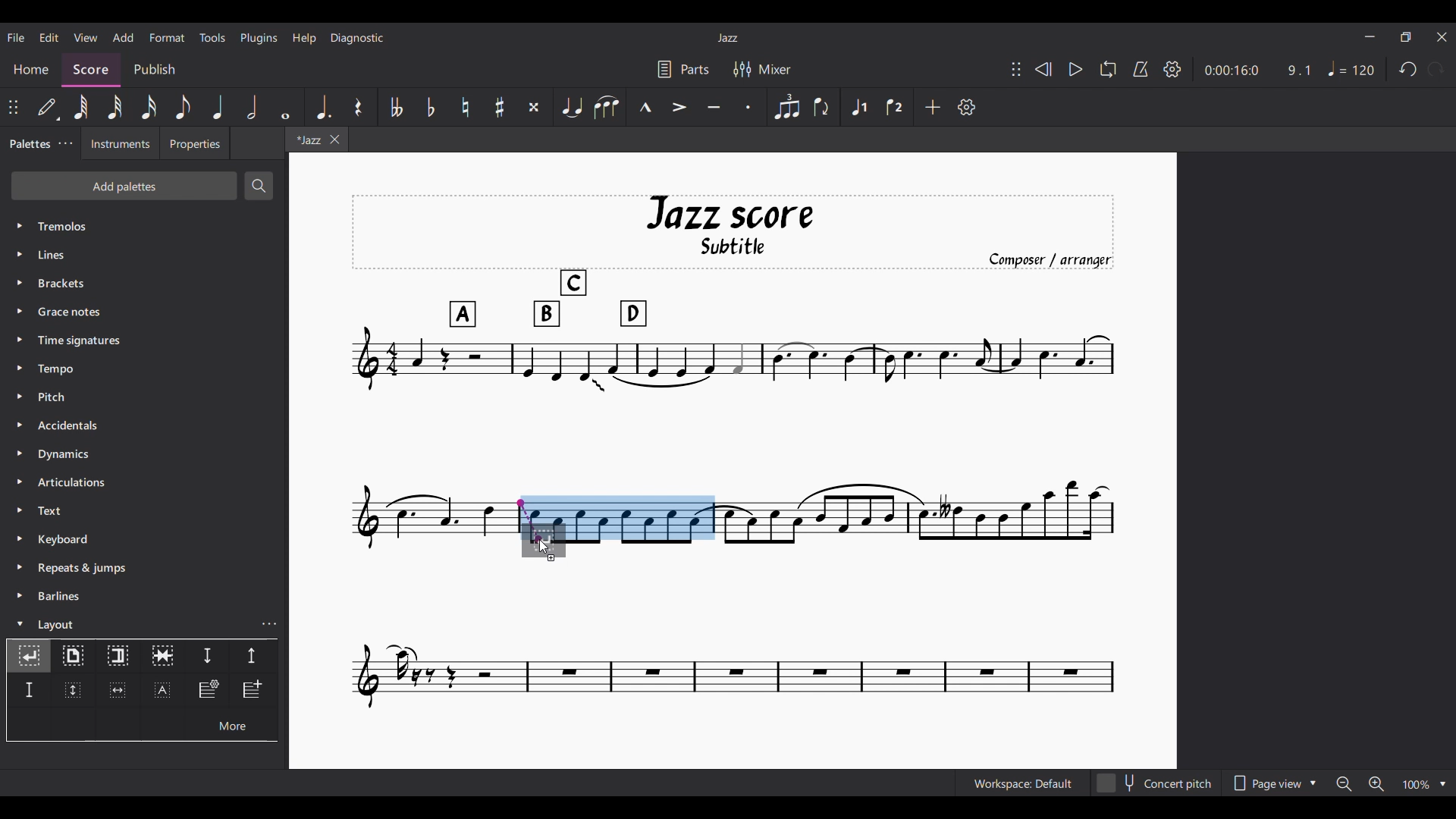 The image size is (1456, 819). What do you see at coordinates (894, 107) in the screenshot?
I see `Voice 2` at bounding box center [894, 107].